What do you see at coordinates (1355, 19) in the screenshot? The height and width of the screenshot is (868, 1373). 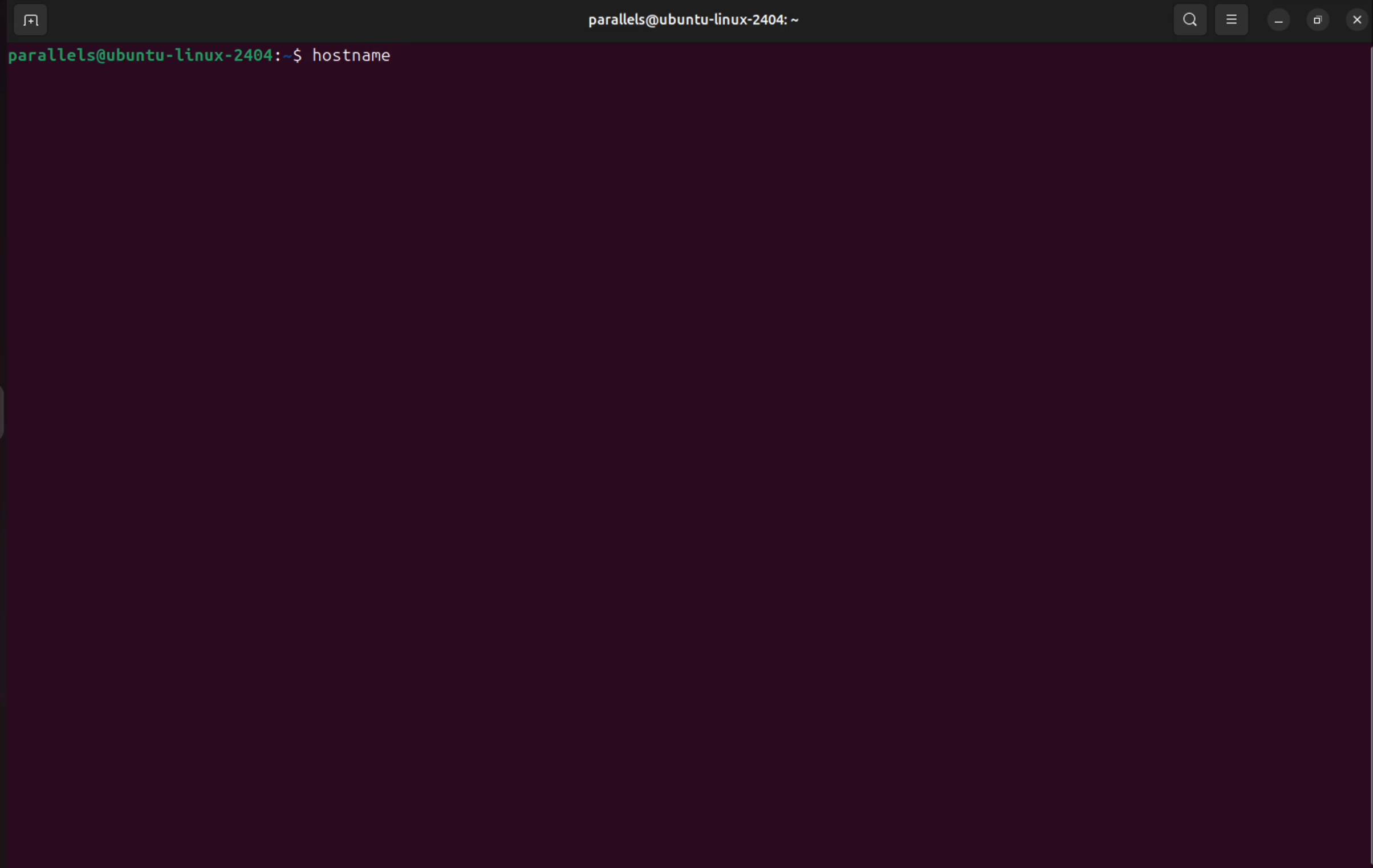 I see `close` at bounding box center [1355, 19].